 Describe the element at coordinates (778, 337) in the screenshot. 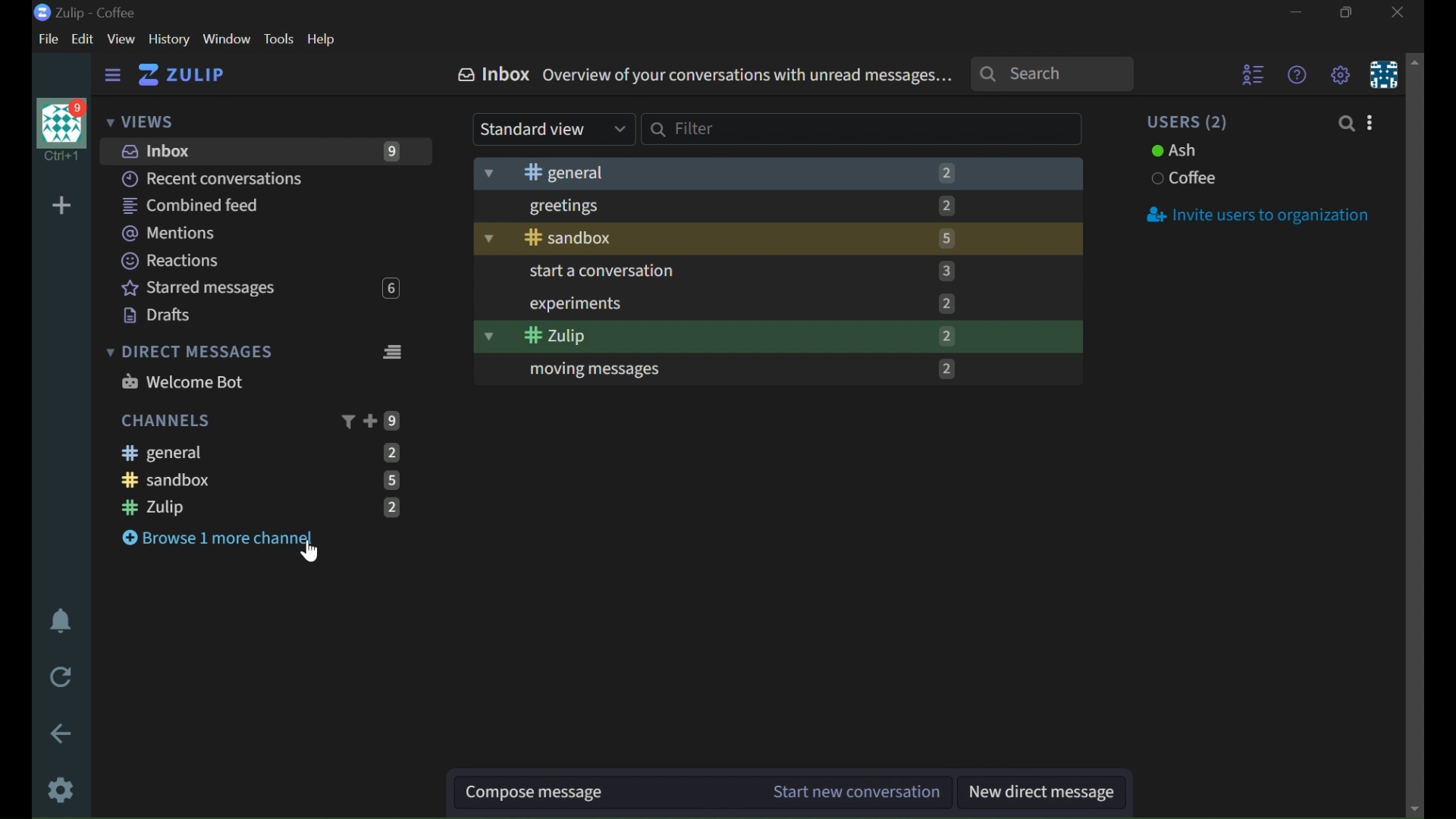

I see `ZULIP` at that location.